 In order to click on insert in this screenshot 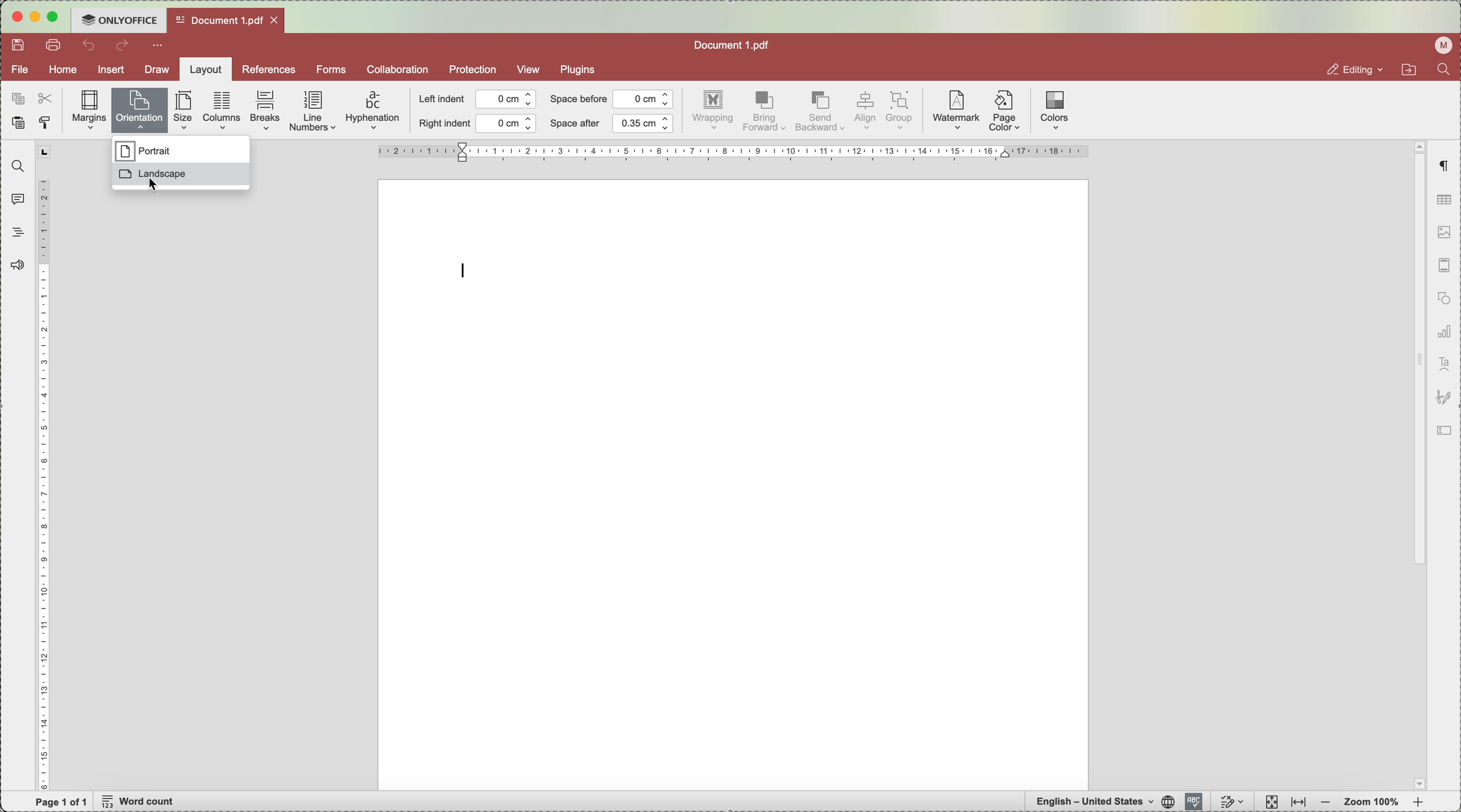, I will do `click(111, 71)`.